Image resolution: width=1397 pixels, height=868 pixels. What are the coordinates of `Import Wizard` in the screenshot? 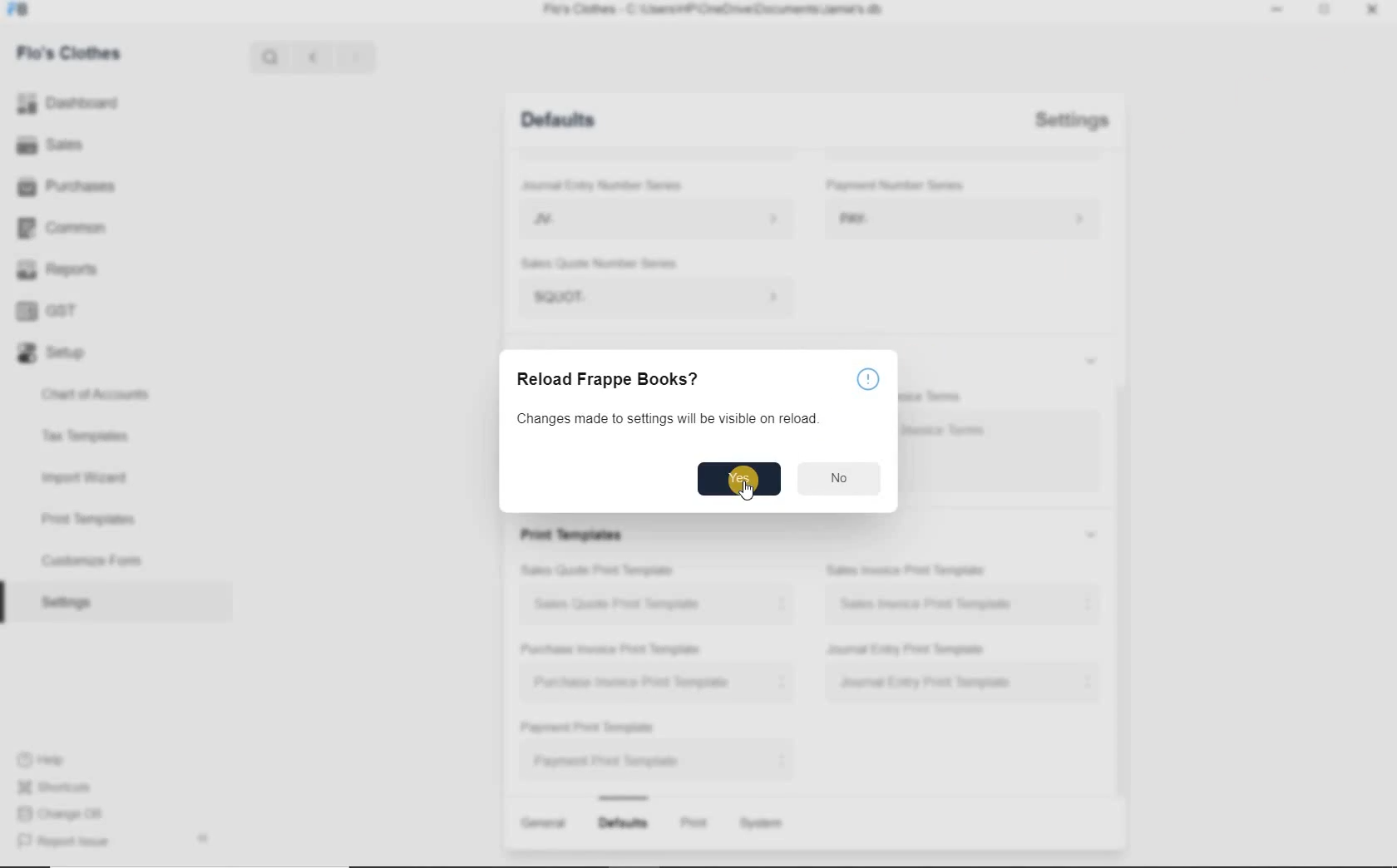 It's located at (86, 481).